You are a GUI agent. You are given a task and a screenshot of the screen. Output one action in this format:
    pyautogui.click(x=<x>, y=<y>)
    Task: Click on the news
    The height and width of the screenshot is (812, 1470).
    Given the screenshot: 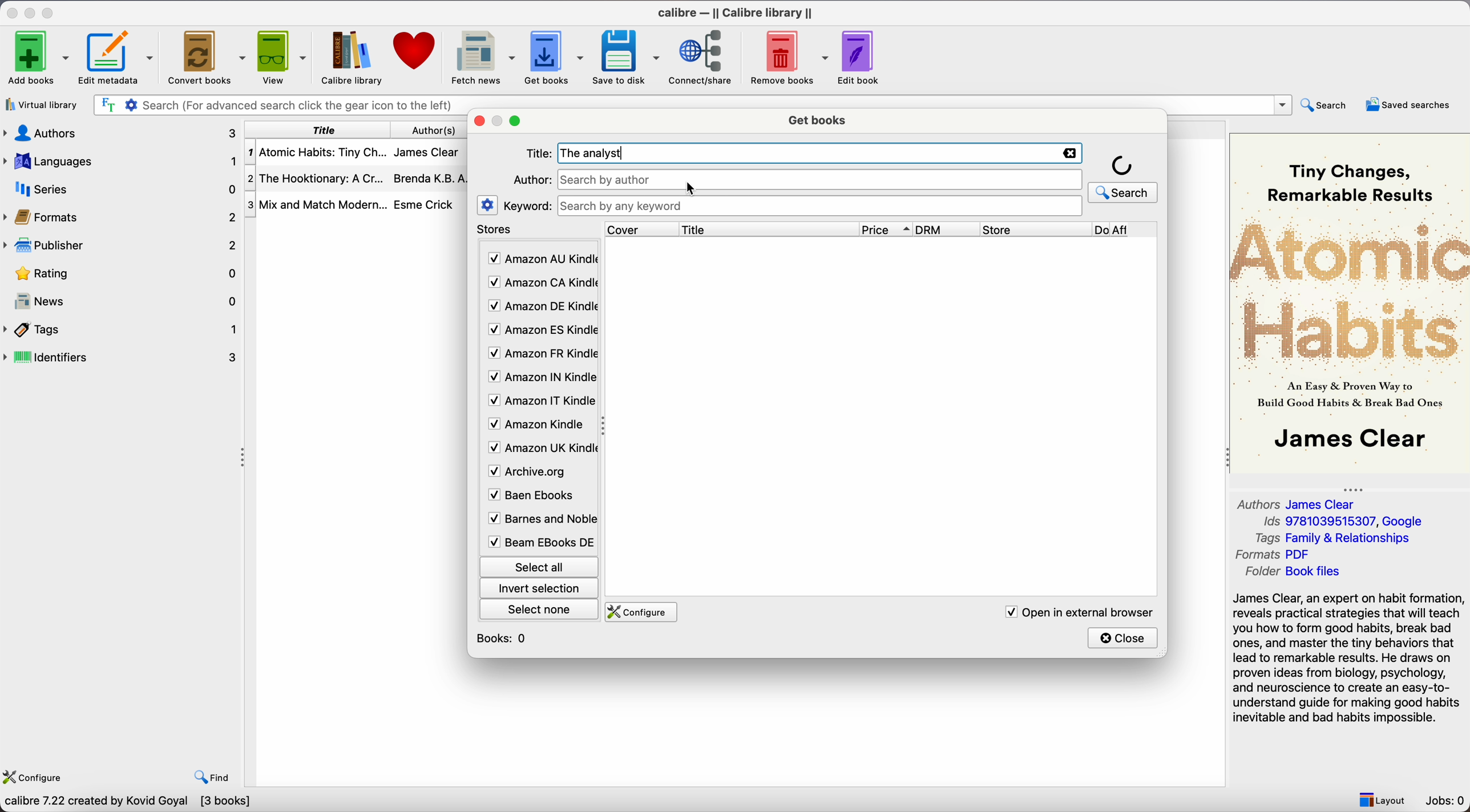 What is the action you would take?
    pyautogui.click(x=123, y=302)
    